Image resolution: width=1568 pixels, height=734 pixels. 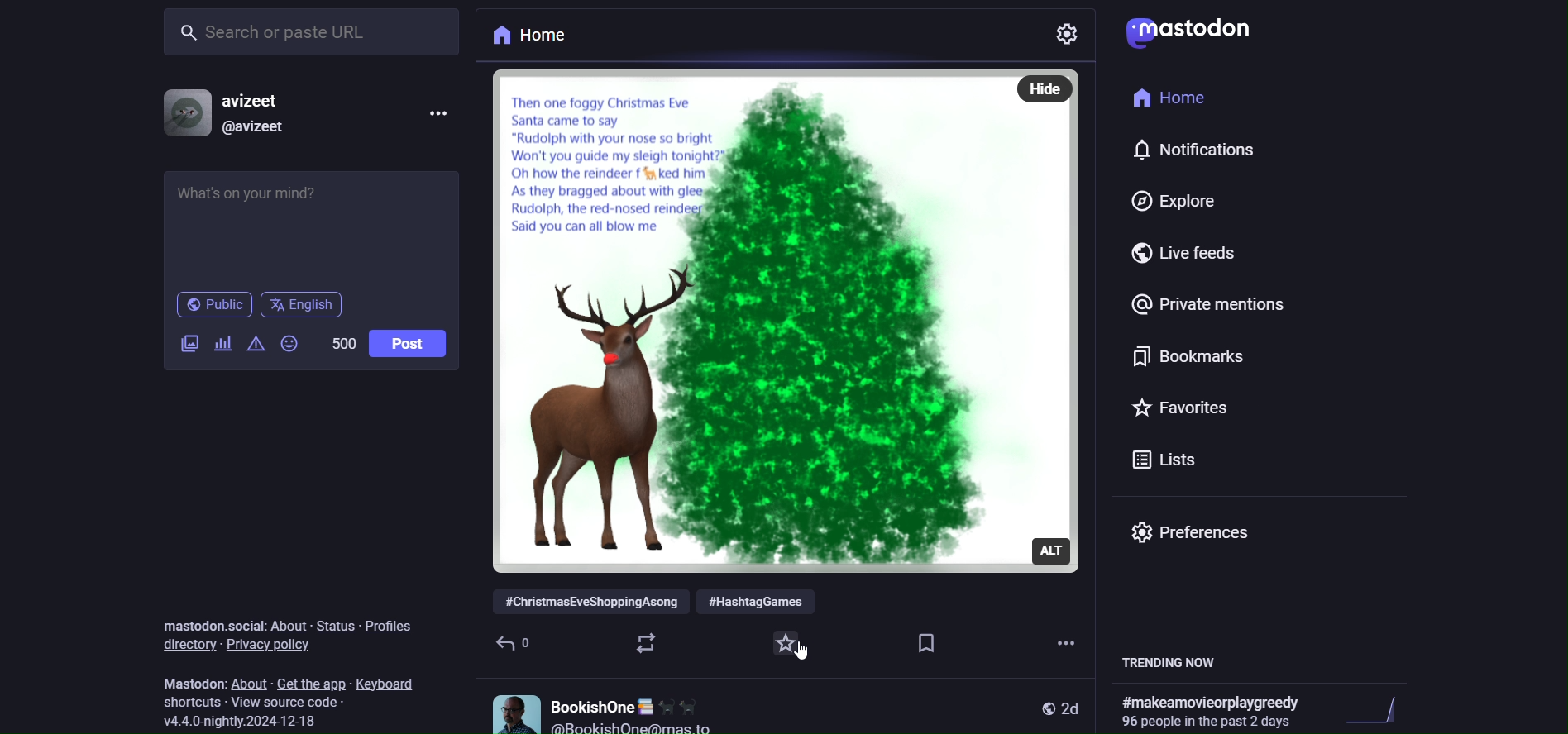 What do you see at coordinates (1192, 150) in the screenshot?
I see `notification` at bounding box center [1192, 150].